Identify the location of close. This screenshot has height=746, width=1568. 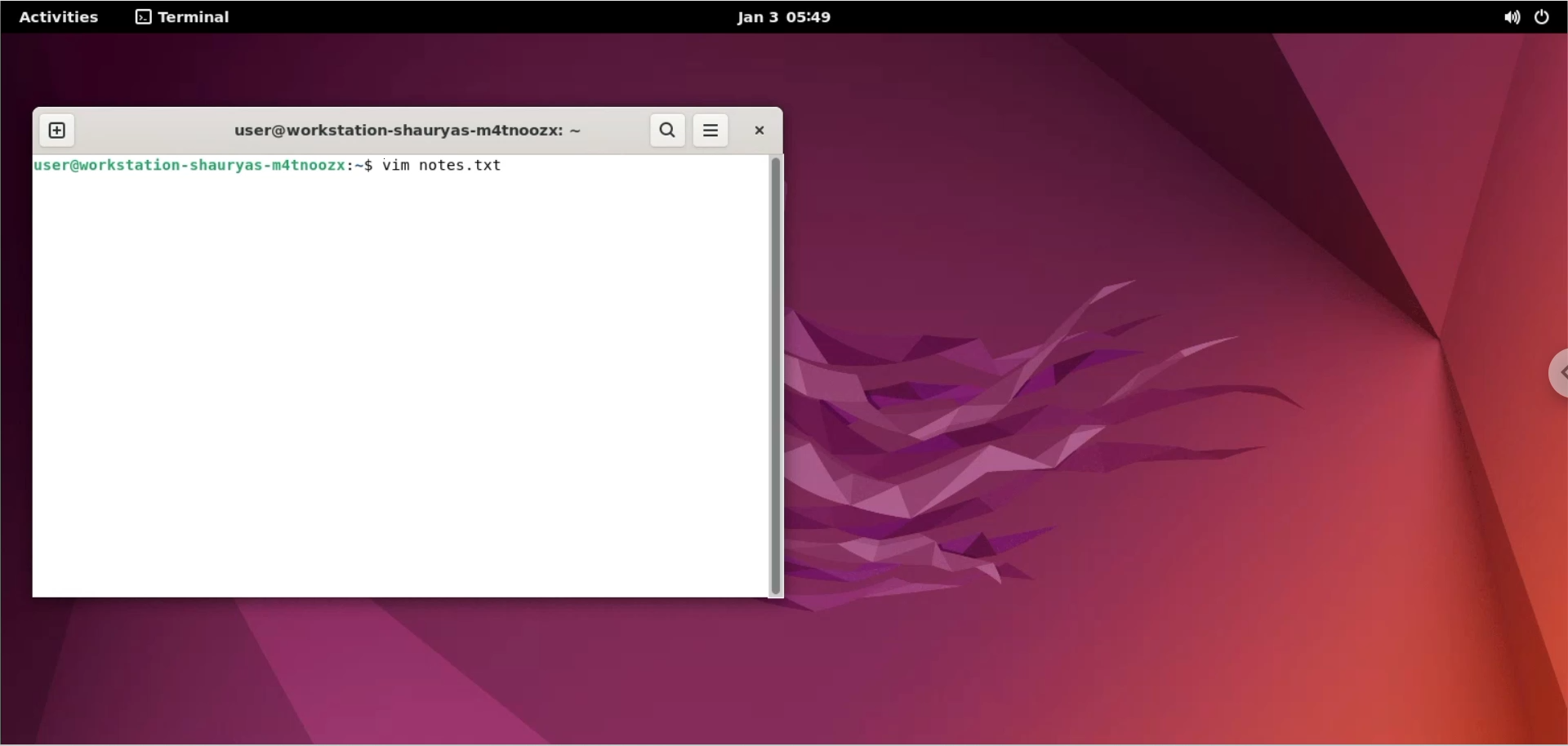
(758, 130).